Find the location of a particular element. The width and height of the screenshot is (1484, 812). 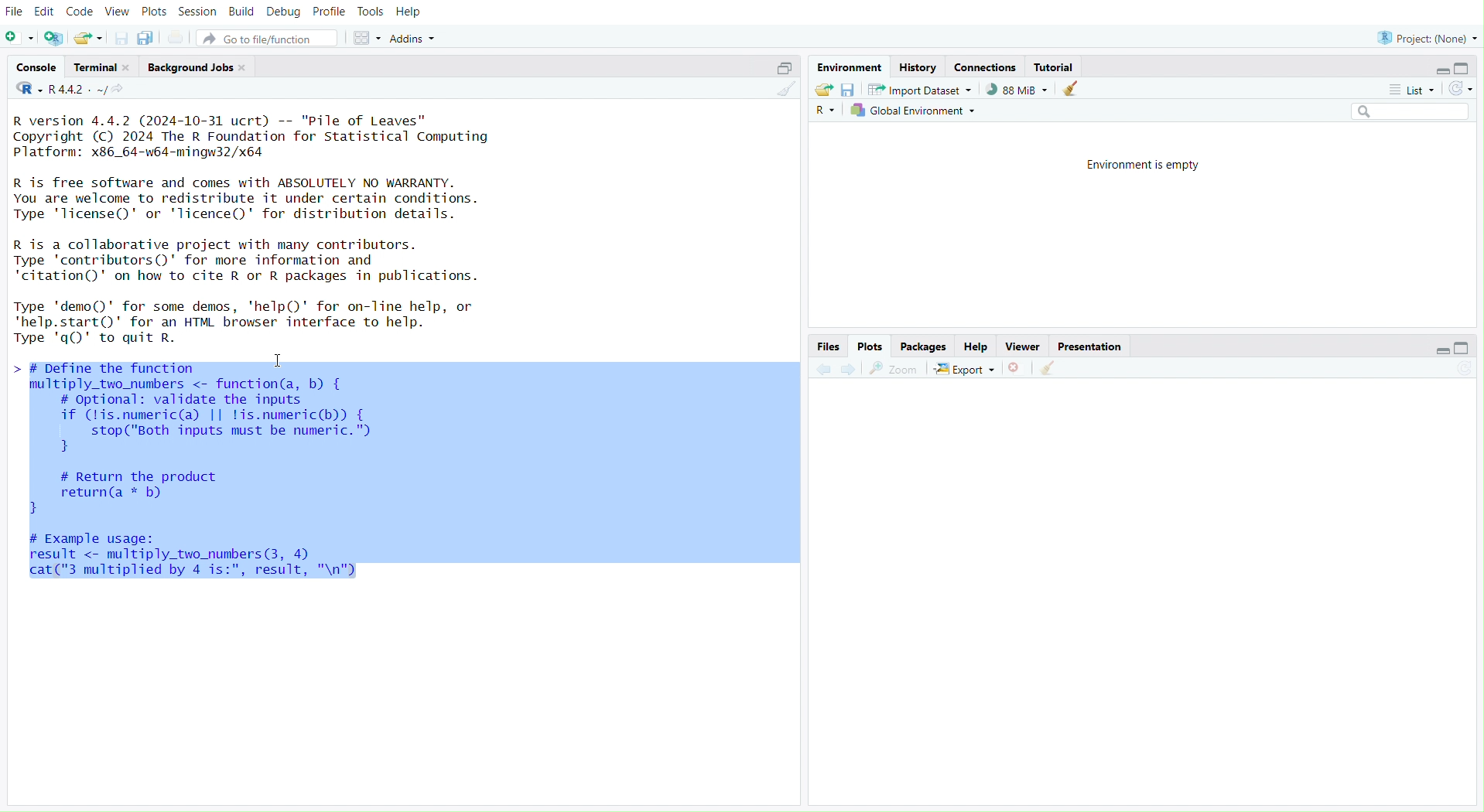

Save all open documents (Ctrl + Alt + S) is located at coordinates (145, 37).